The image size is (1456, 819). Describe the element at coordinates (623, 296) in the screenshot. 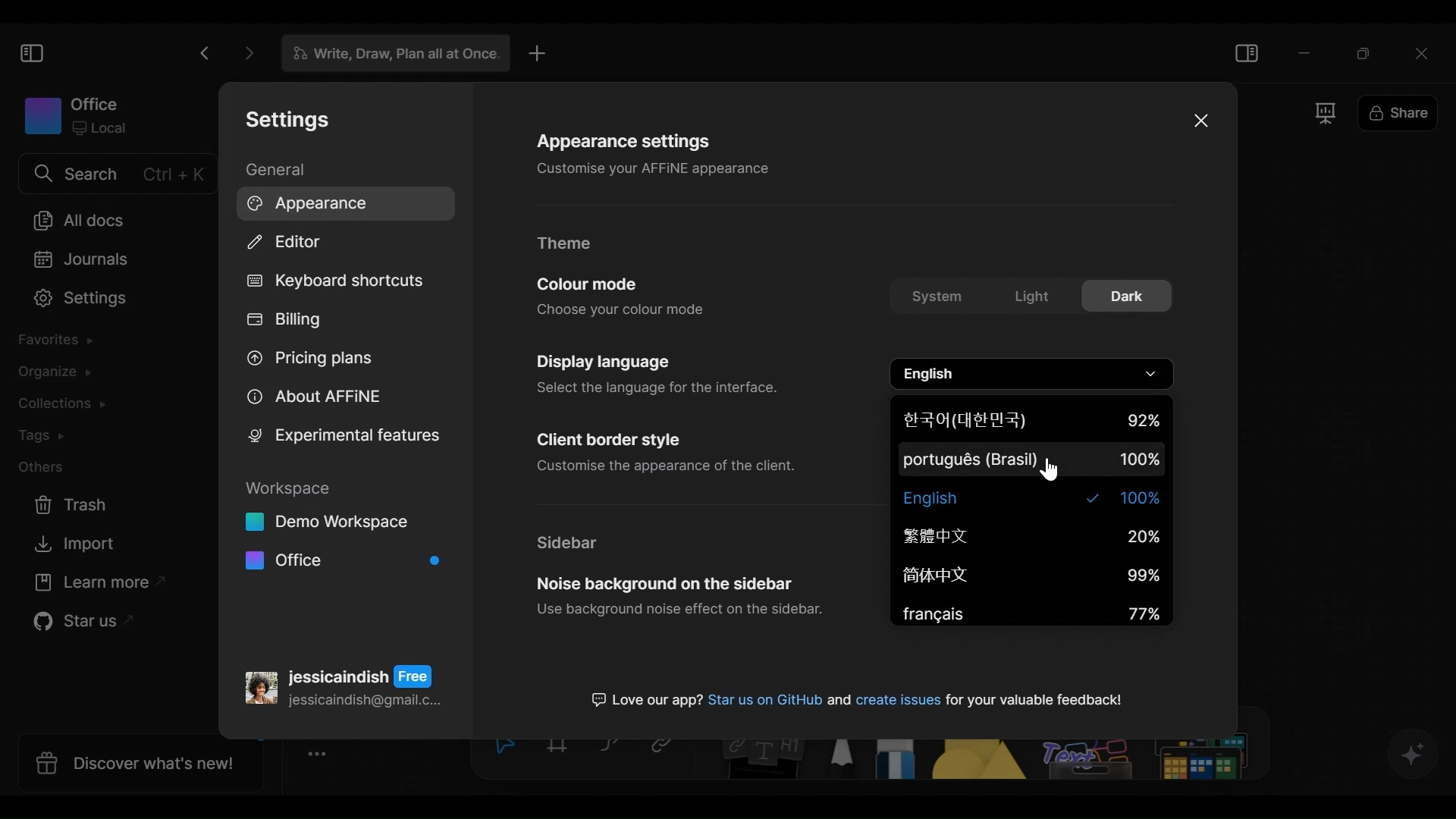

I see `Color mode` at that location.